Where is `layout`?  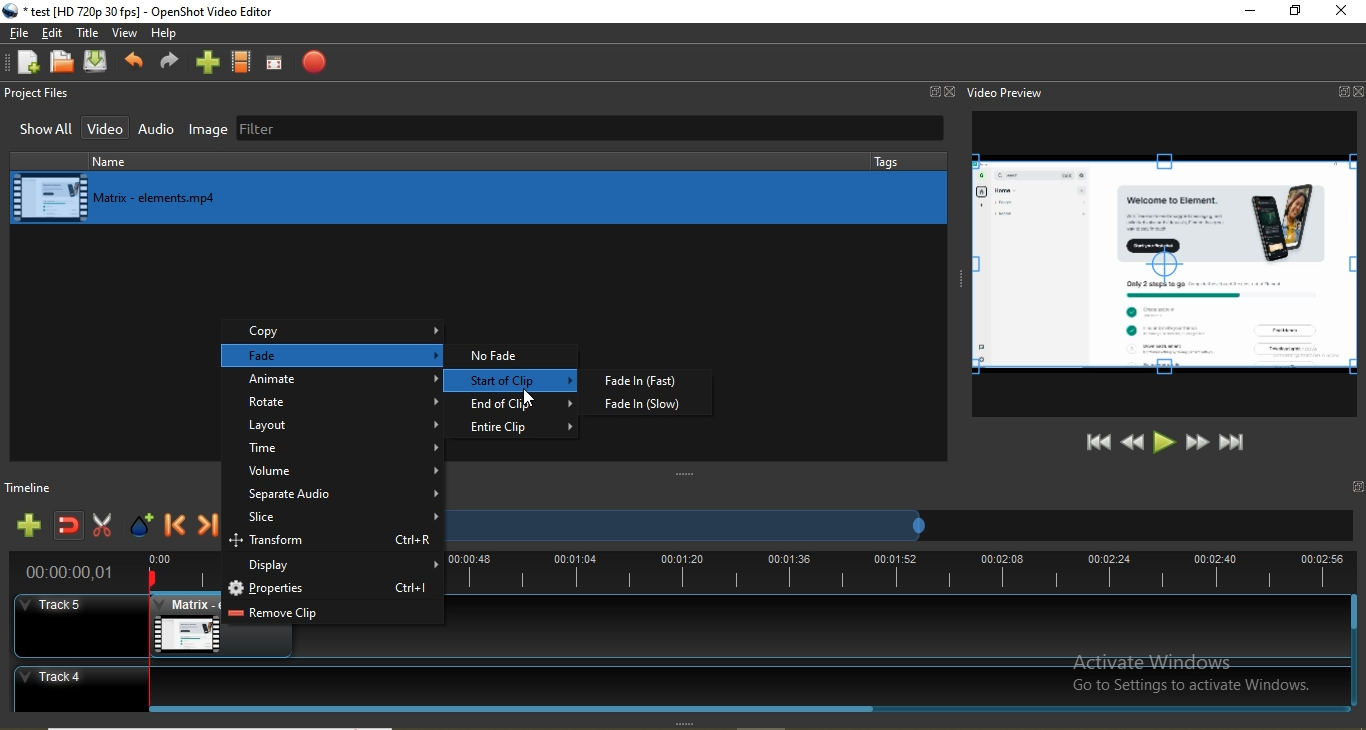
layout is located at coordinates (337, 425).